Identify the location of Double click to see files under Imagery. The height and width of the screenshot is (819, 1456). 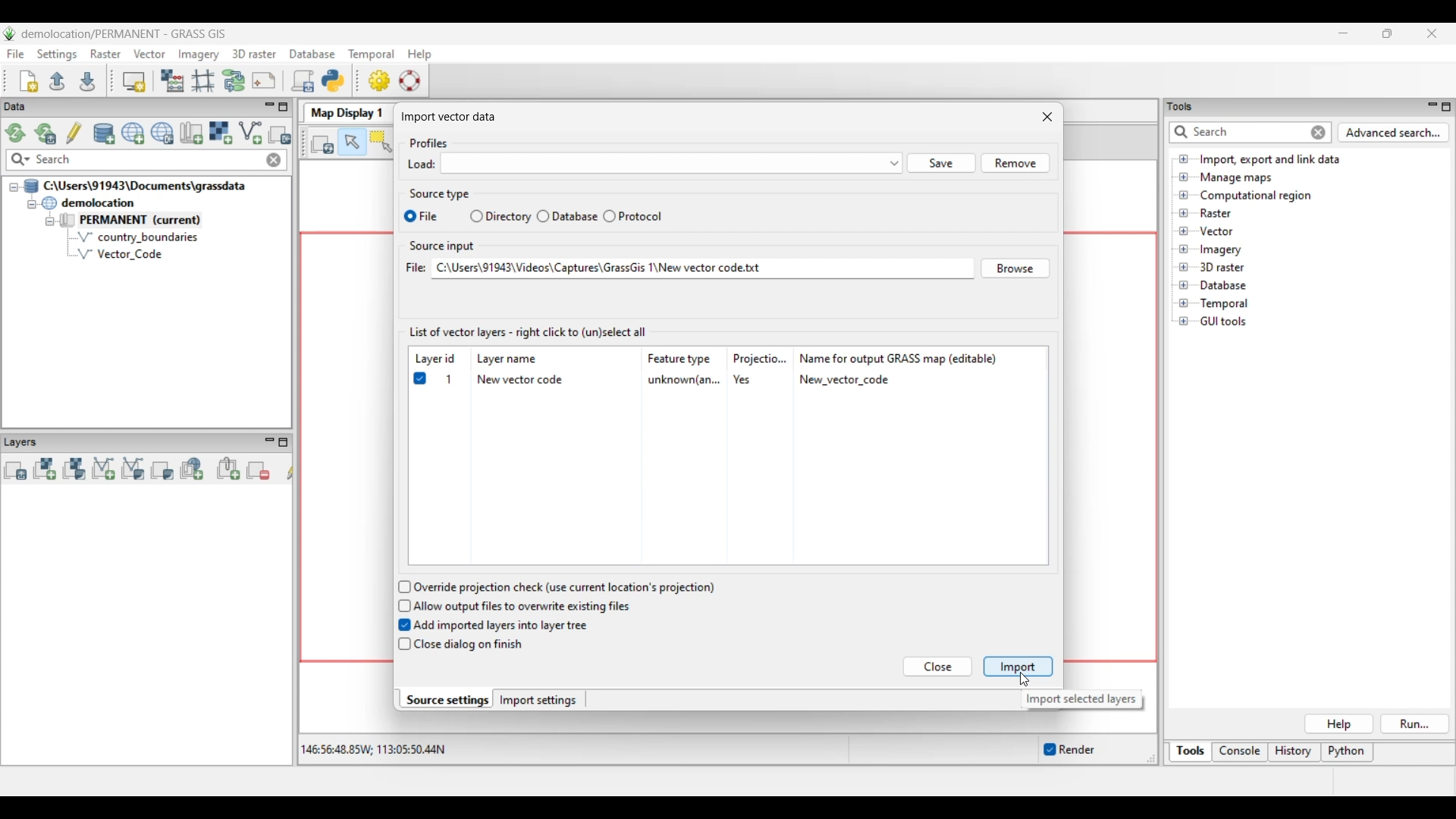
(1220, 250).